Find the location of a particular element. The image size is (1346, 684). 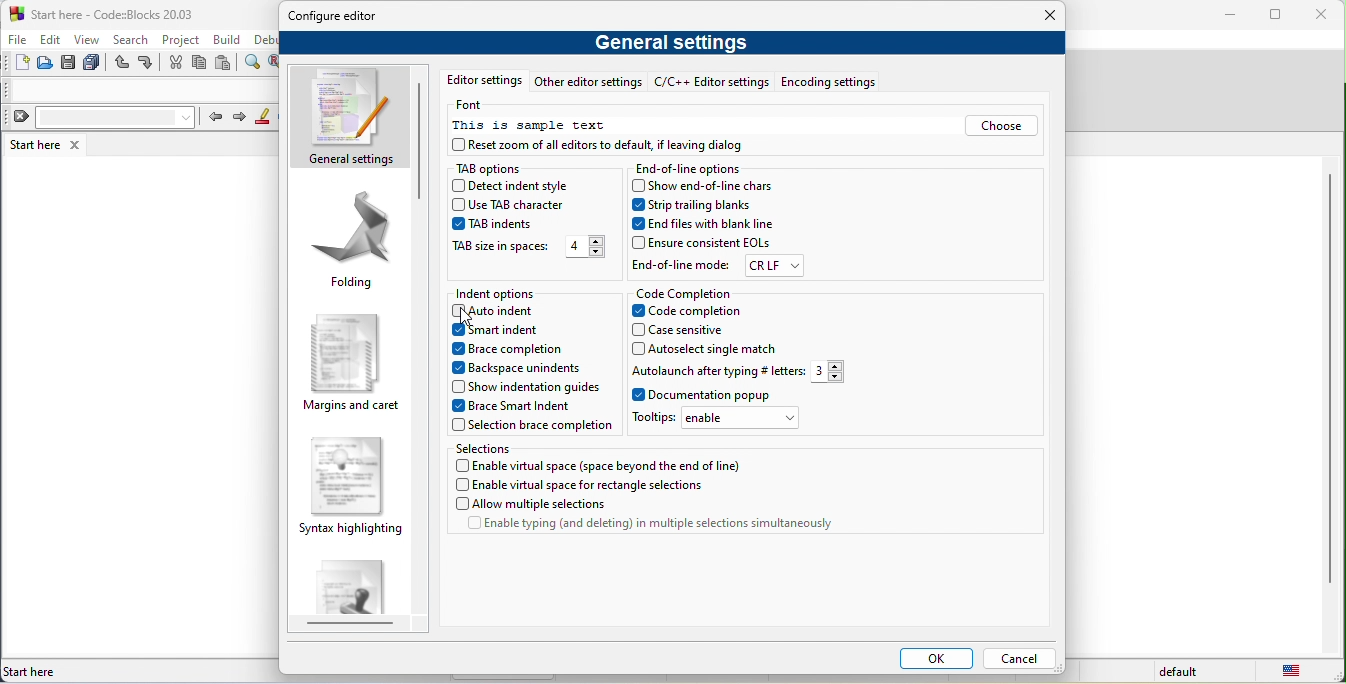

paste is located at coordinates (229, 64).